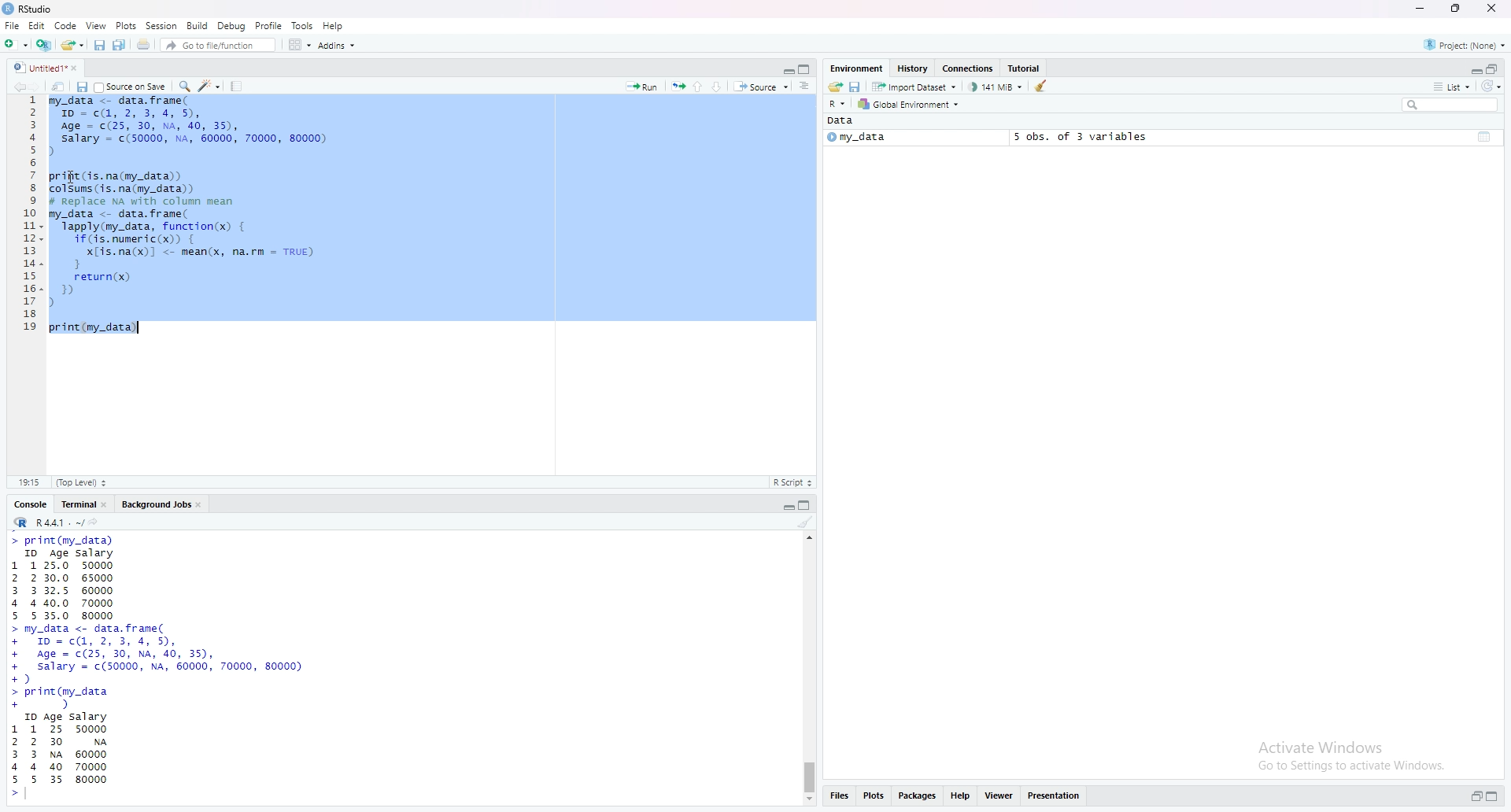 This screenshot has width=1511, height=812. What do you see at coordinates (1451, 87) in the screenshot?
I see `list` at bounding box center [1451, 87].